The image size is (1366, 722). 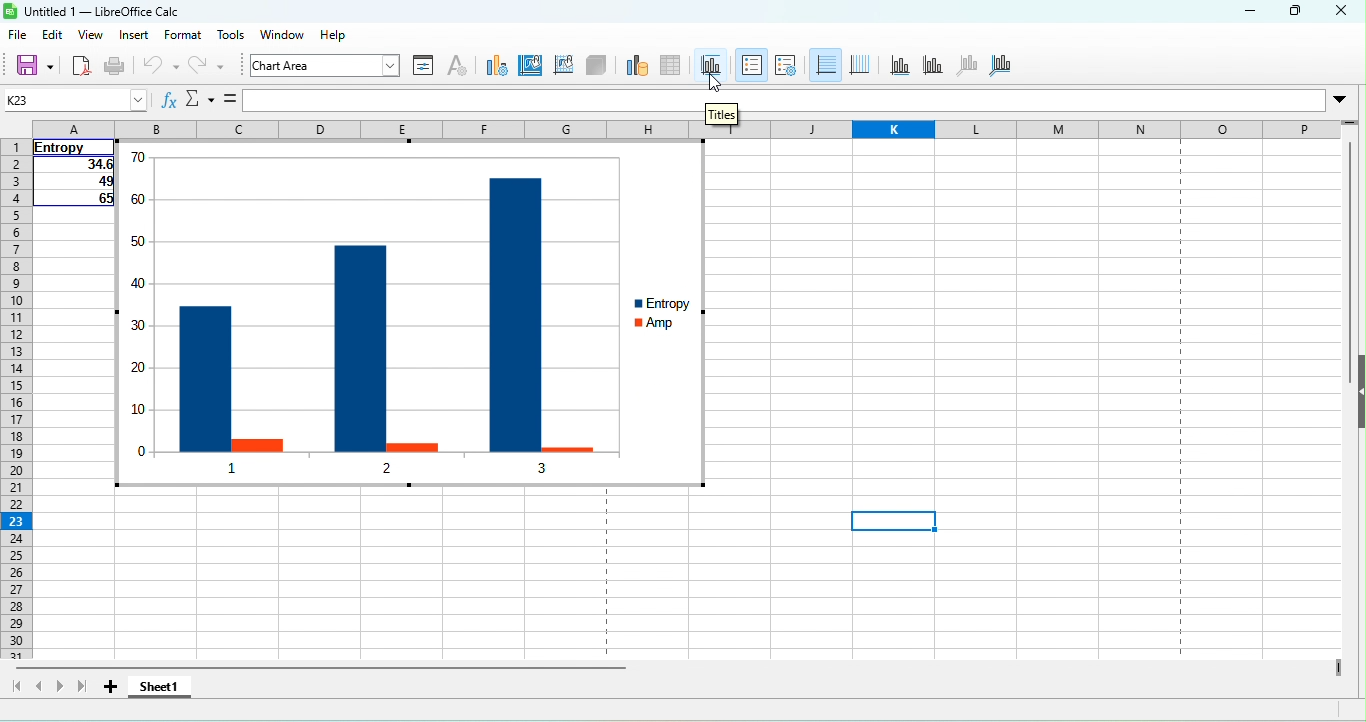 I want to click on titles, so click(x=710, y=58).